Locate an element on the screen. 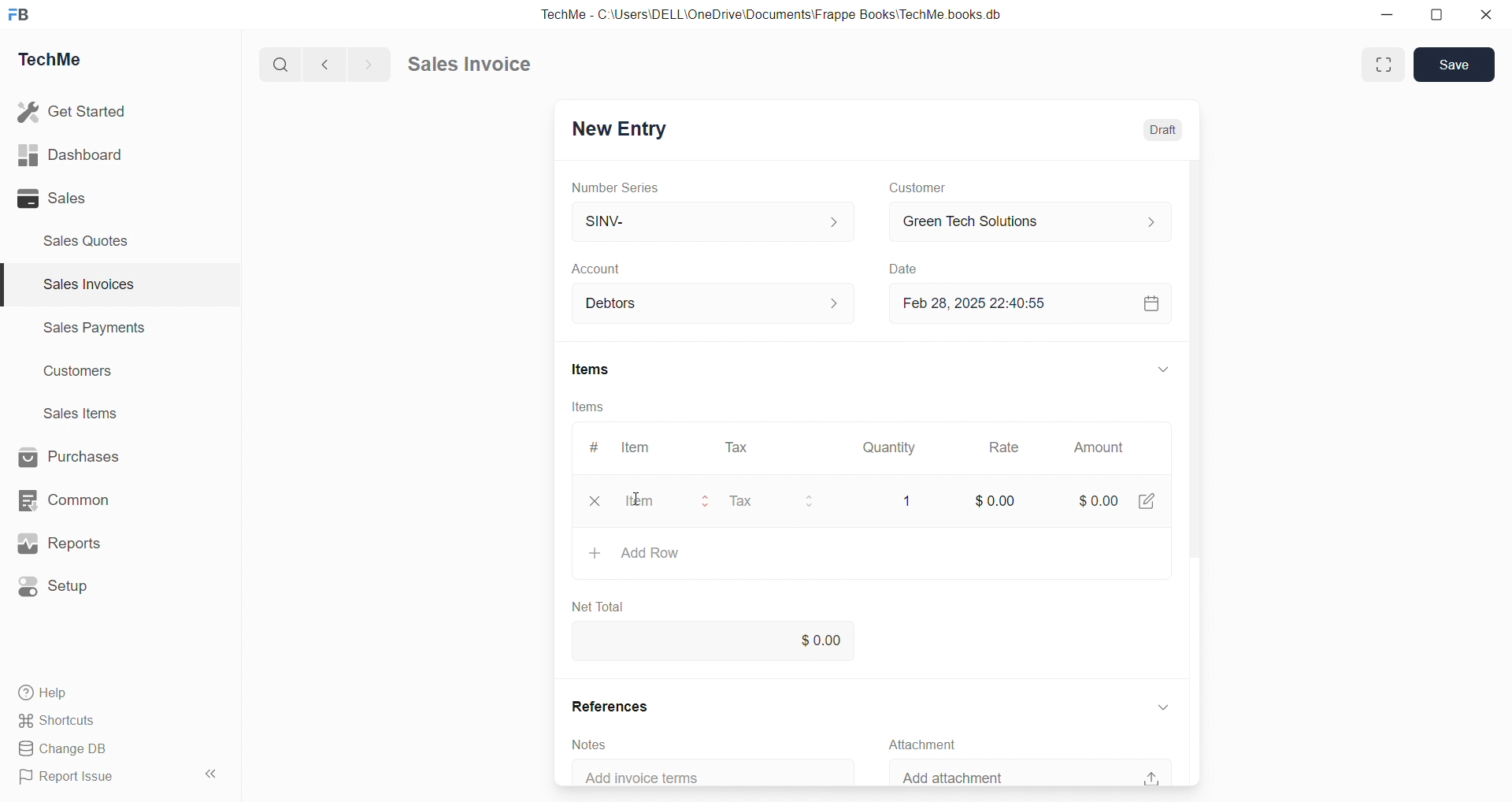  search is located at coordinates (278, 65).